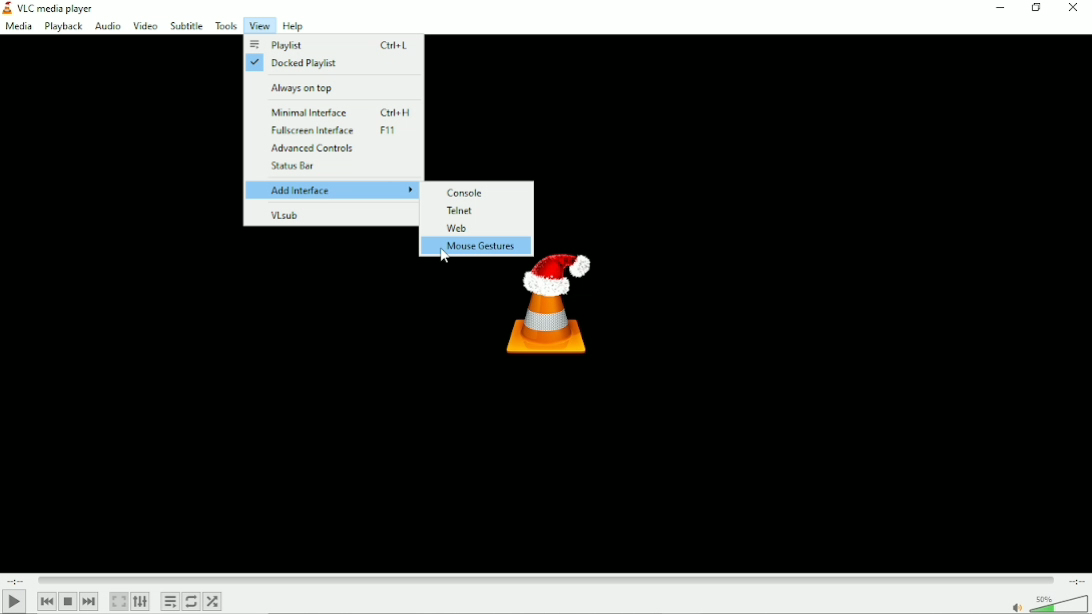 The height and width of the screenshot is (614, 1092). I want to click on Minimal interface, so click(332, 112).